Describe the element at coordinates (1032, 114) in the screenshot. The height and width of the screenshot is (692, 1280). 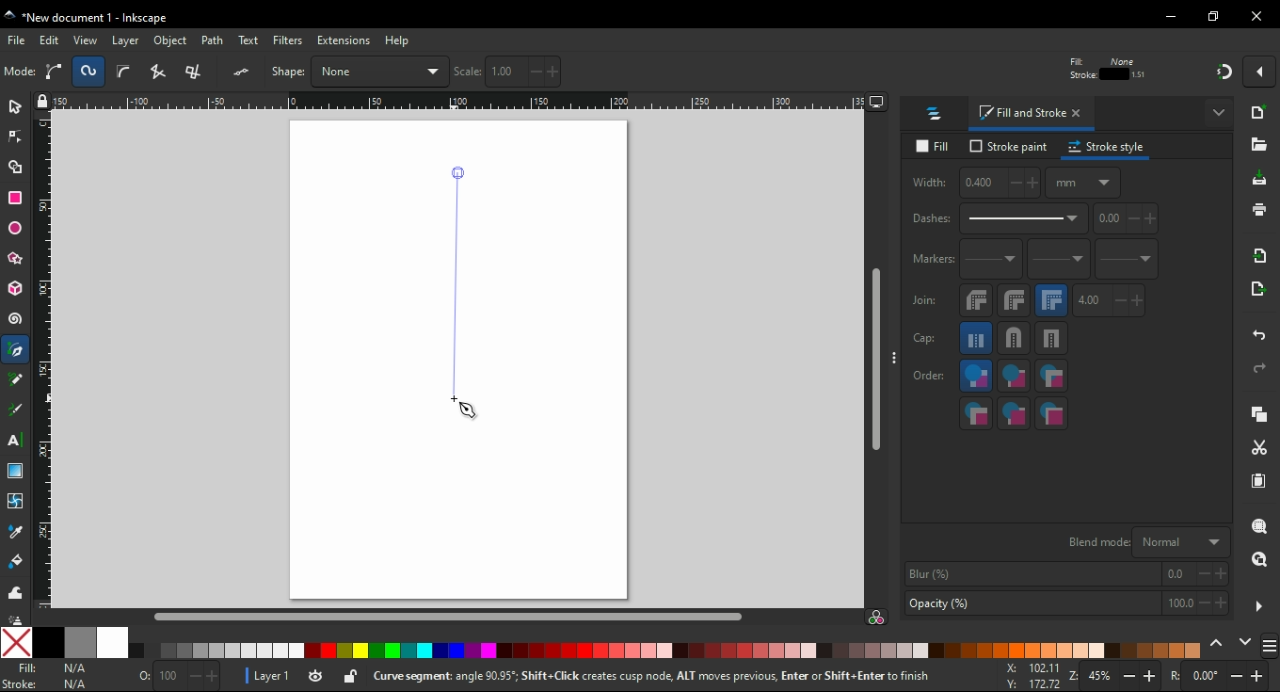
I see `fill and stroke` at that location.